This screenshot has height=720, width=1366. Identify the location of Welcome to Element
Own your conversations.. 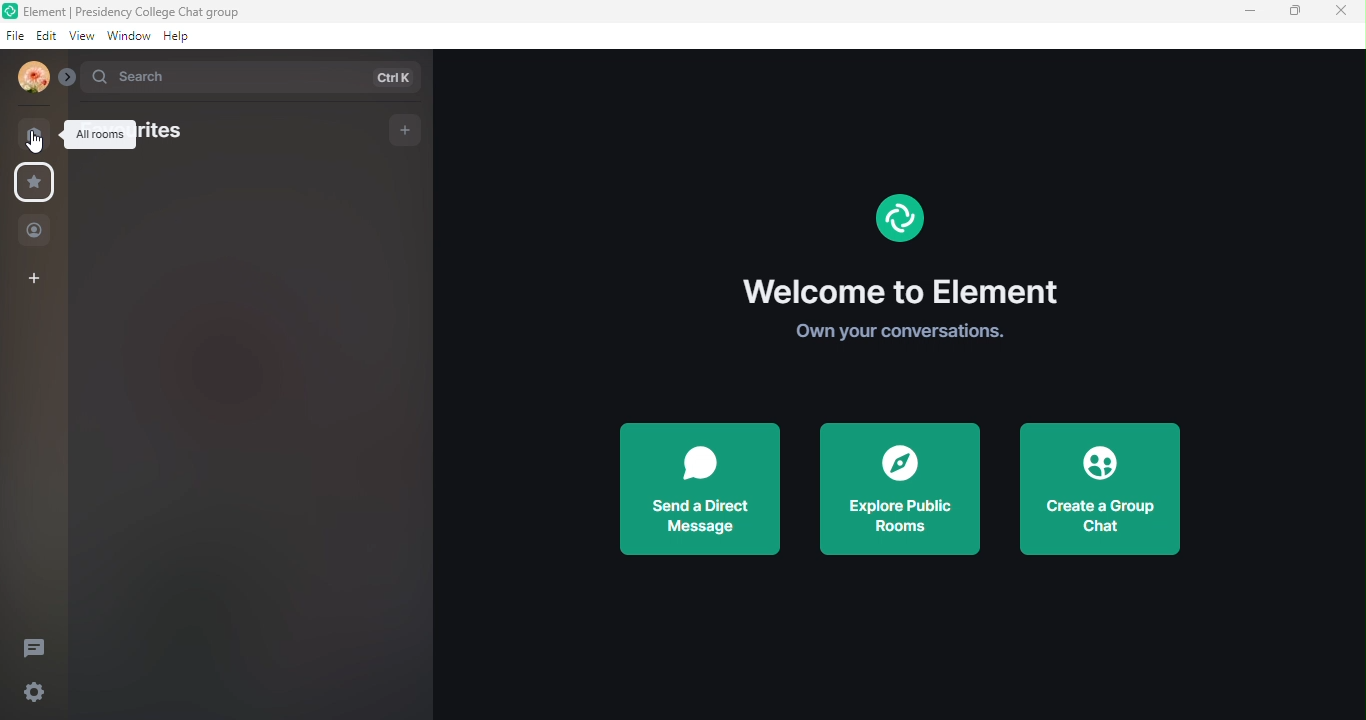
(899, 272).